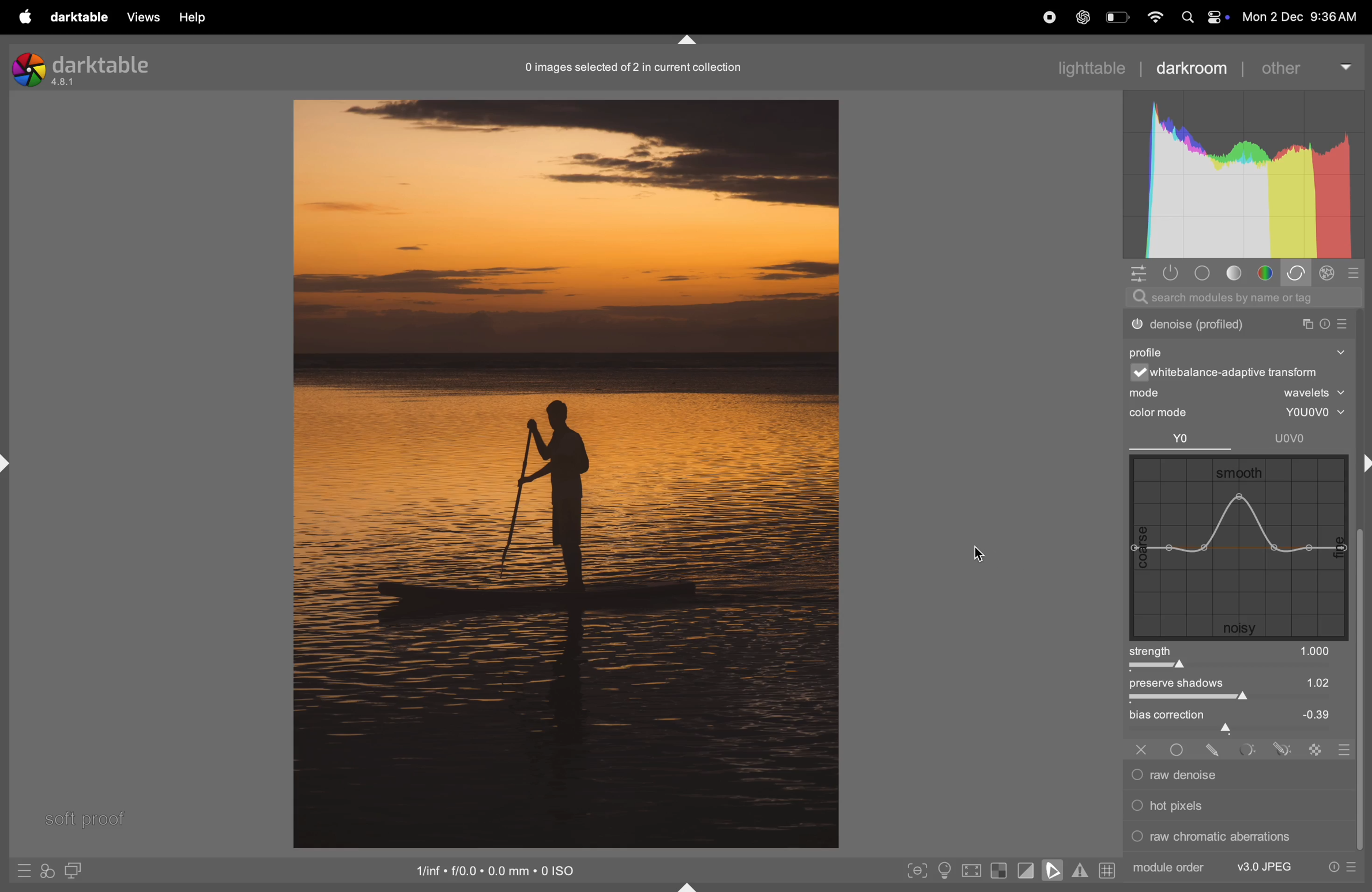 The image size is (1372, 892). Describe the element at coordinates (18, 17) in the screenshot. I see `apple menu` at that location.